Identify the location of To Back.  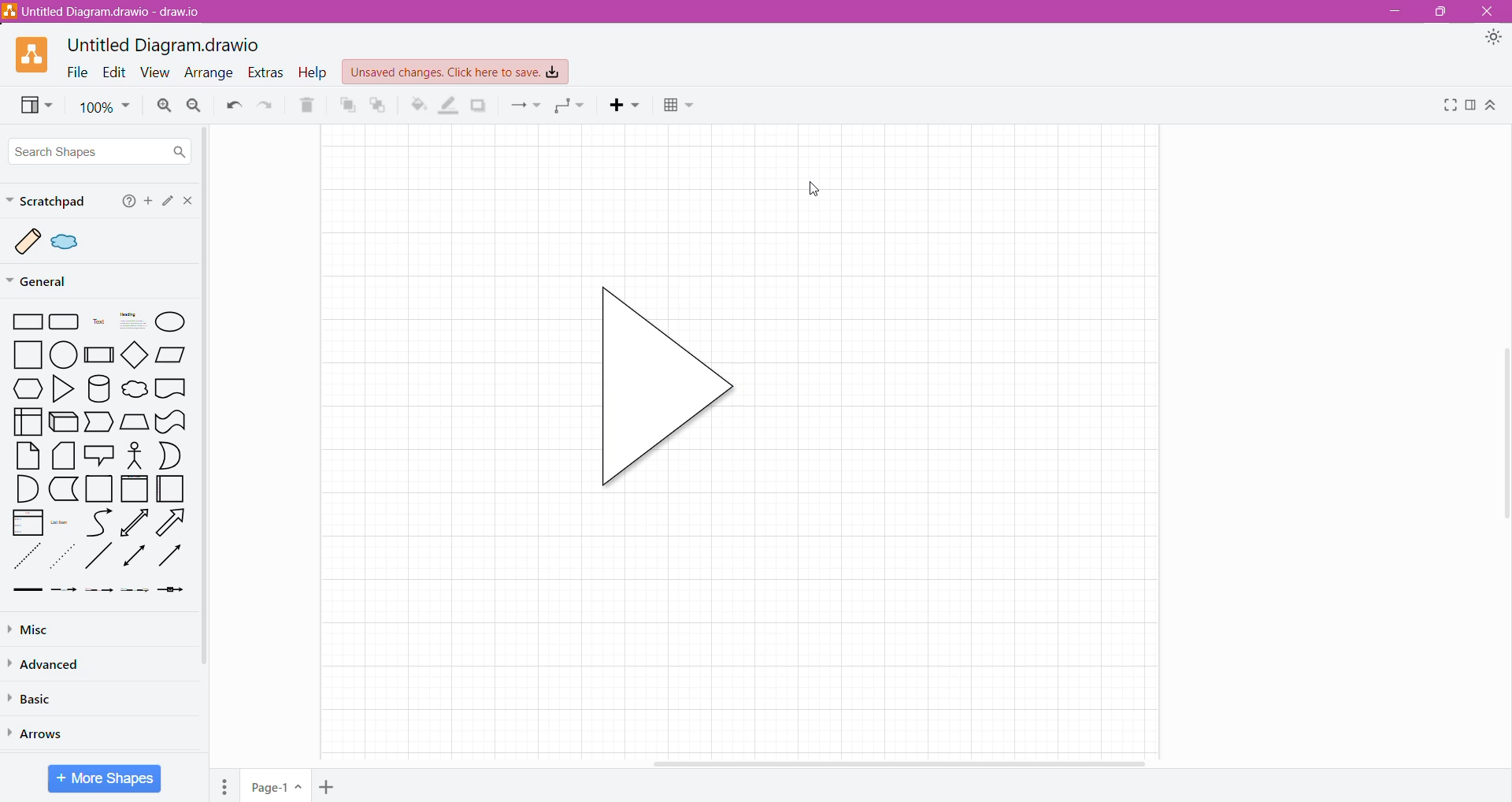
(380, 104).